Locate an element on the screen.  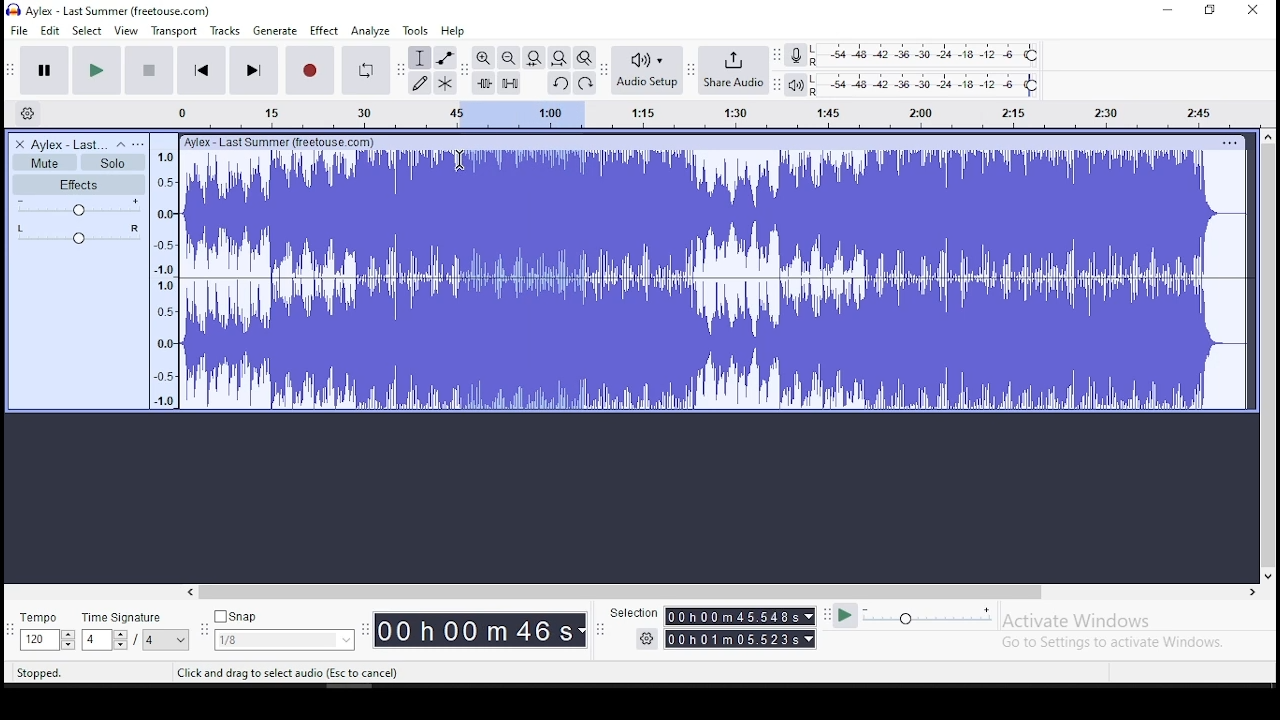
close window is located at coordinates (1253, 11).